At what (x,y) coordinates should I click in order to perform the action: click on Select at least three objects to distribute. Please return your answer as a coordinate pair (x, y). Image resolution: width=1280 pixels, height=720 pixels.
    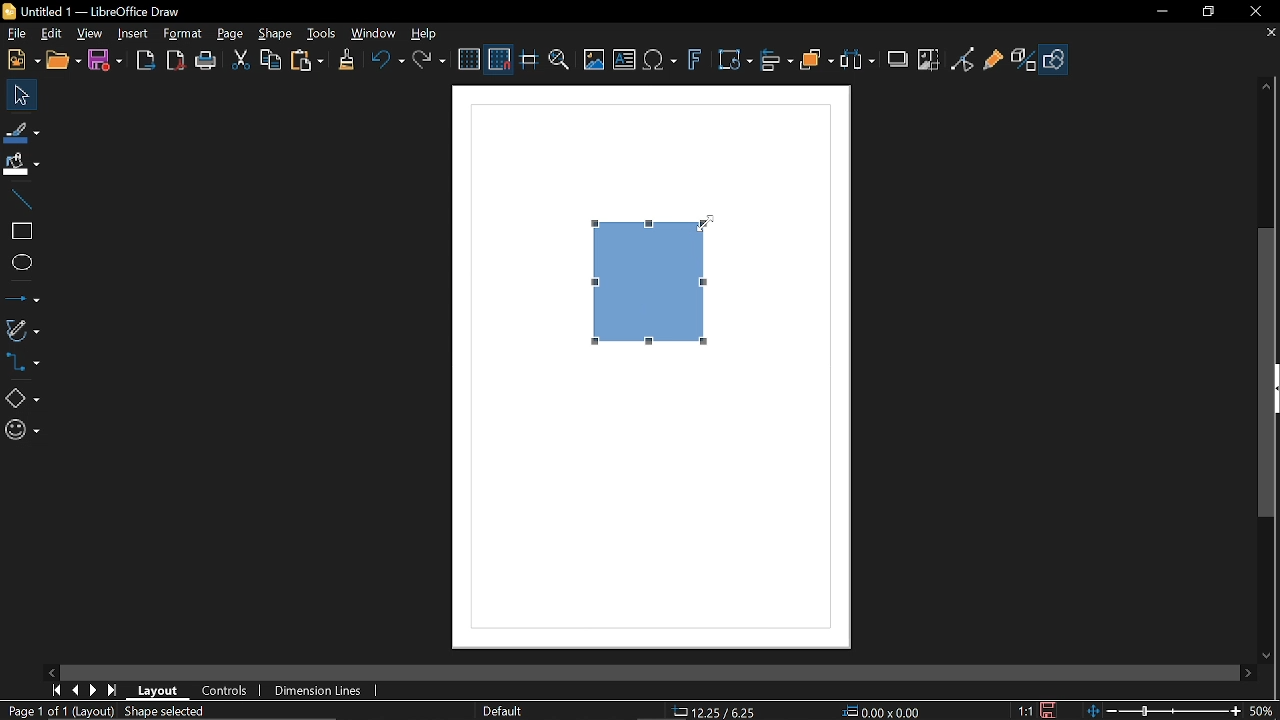
    Looking at the image, I should click on (861, 61).